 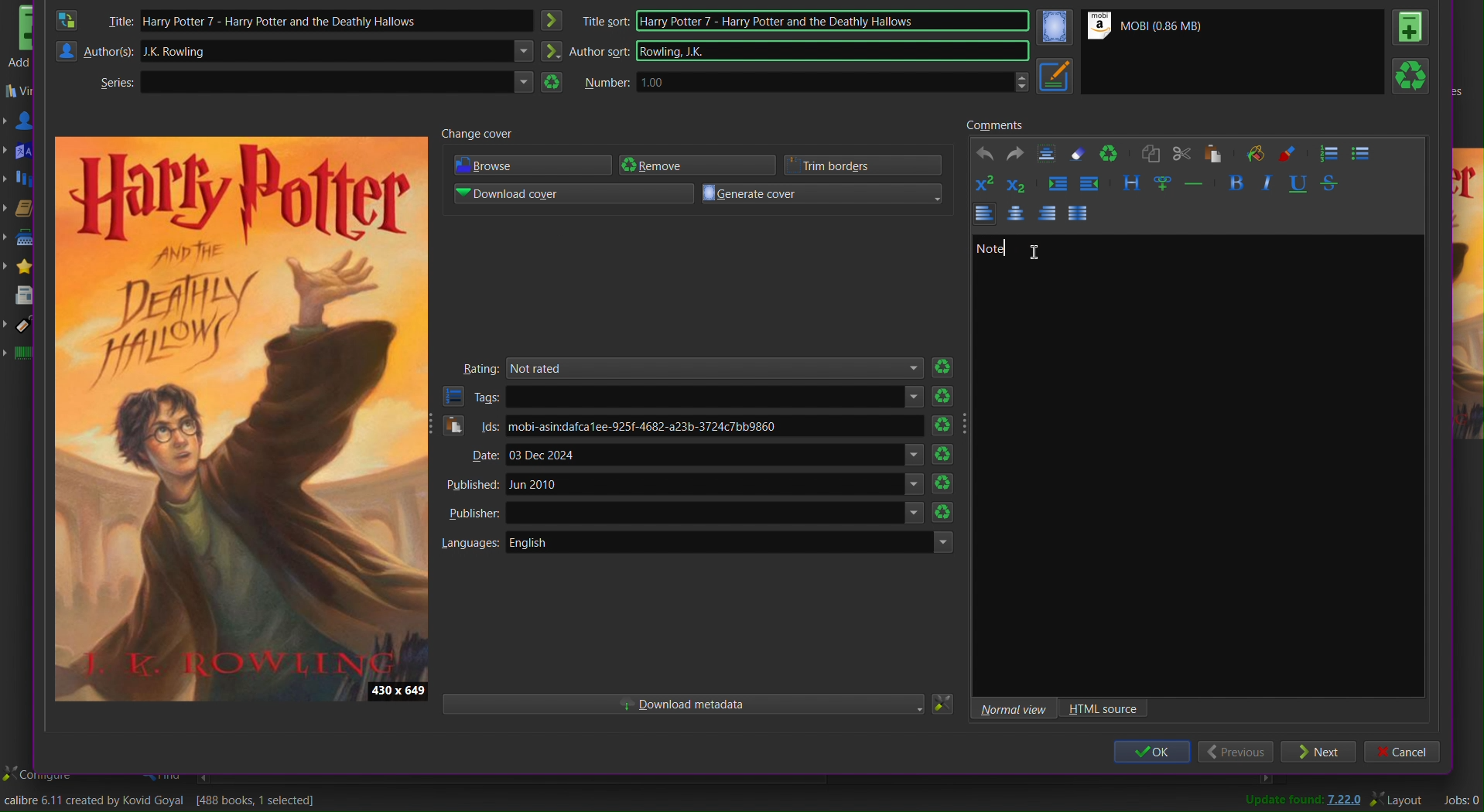 What do you see at coordinates (1151, 153) in the screenshot?
I see `Copy` at bounding box center [1151, 153].